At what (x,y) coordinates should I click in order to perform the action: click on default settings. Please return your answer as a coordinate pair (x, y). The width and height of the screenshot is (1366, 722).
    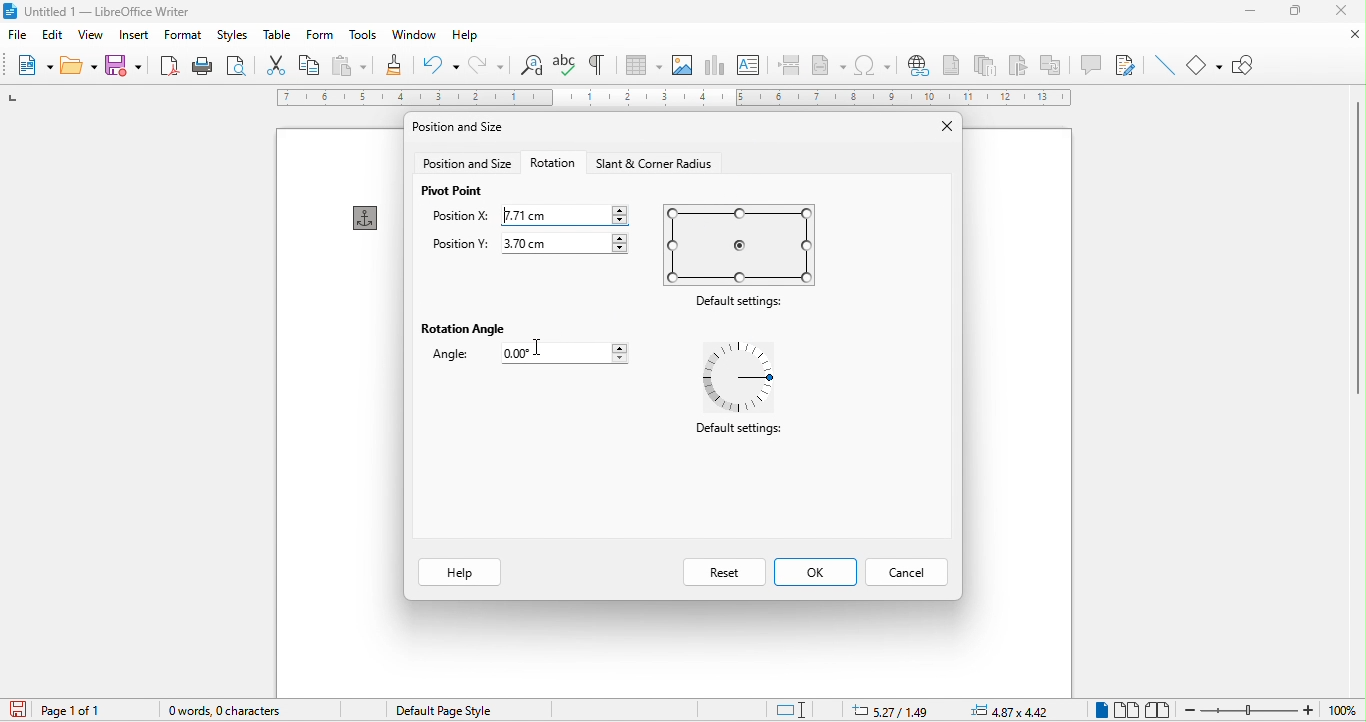
    Looking at the image, I should click on (742, 301).